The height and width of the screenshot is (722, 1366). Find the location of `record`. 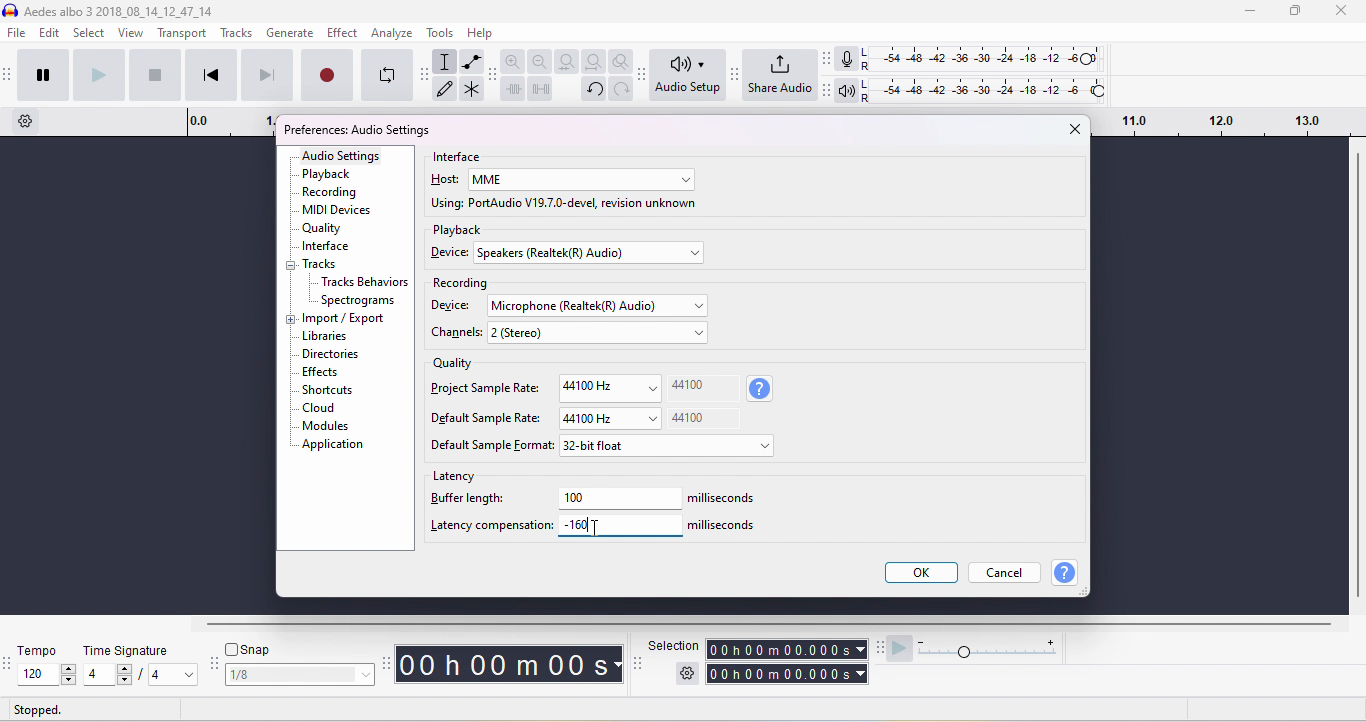

record is located at coordinates (326, 73).